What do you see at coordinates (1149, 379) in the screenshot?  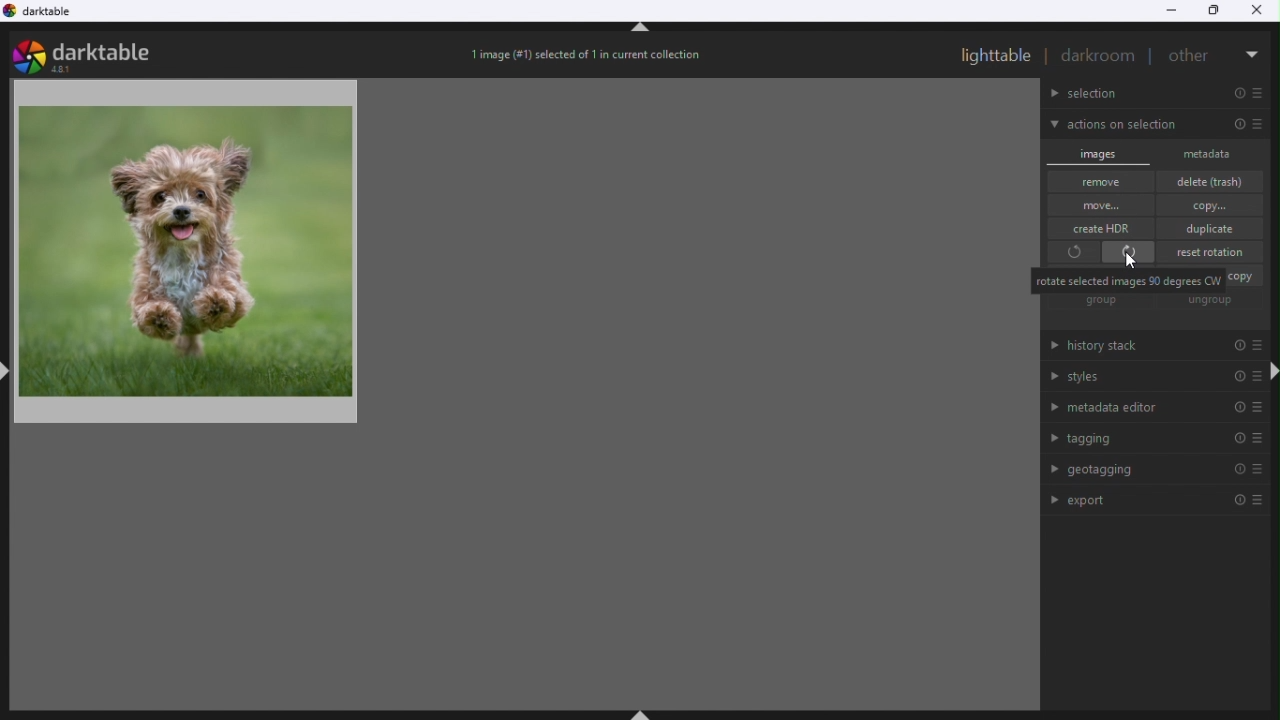 I see `Styles` at bounding box center [1149, 379].